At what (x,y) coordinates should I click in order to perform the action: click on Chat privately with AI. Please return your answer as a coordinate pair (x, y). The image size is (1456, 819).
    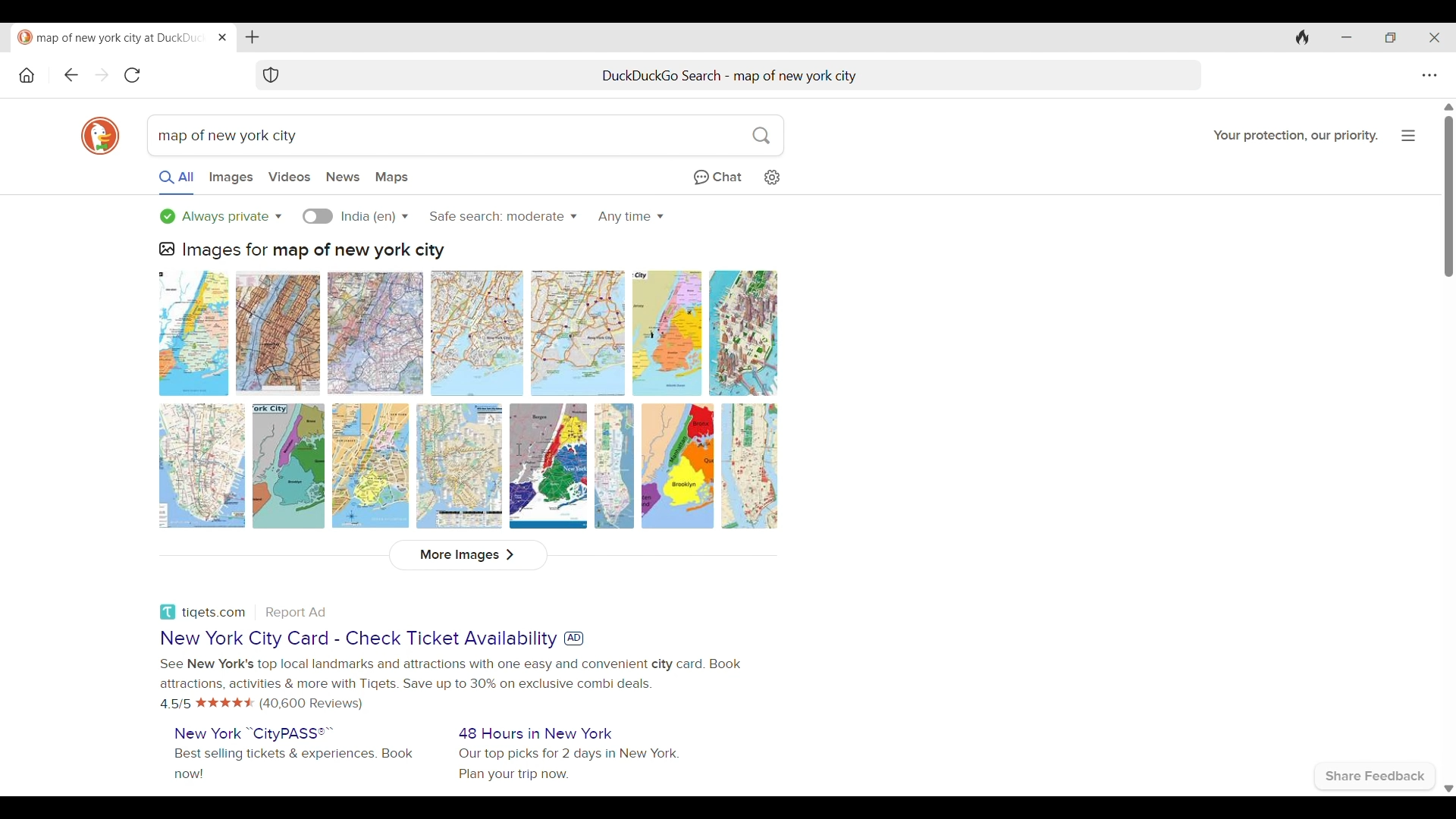
    Looking at the image, I should click on (717, 178).